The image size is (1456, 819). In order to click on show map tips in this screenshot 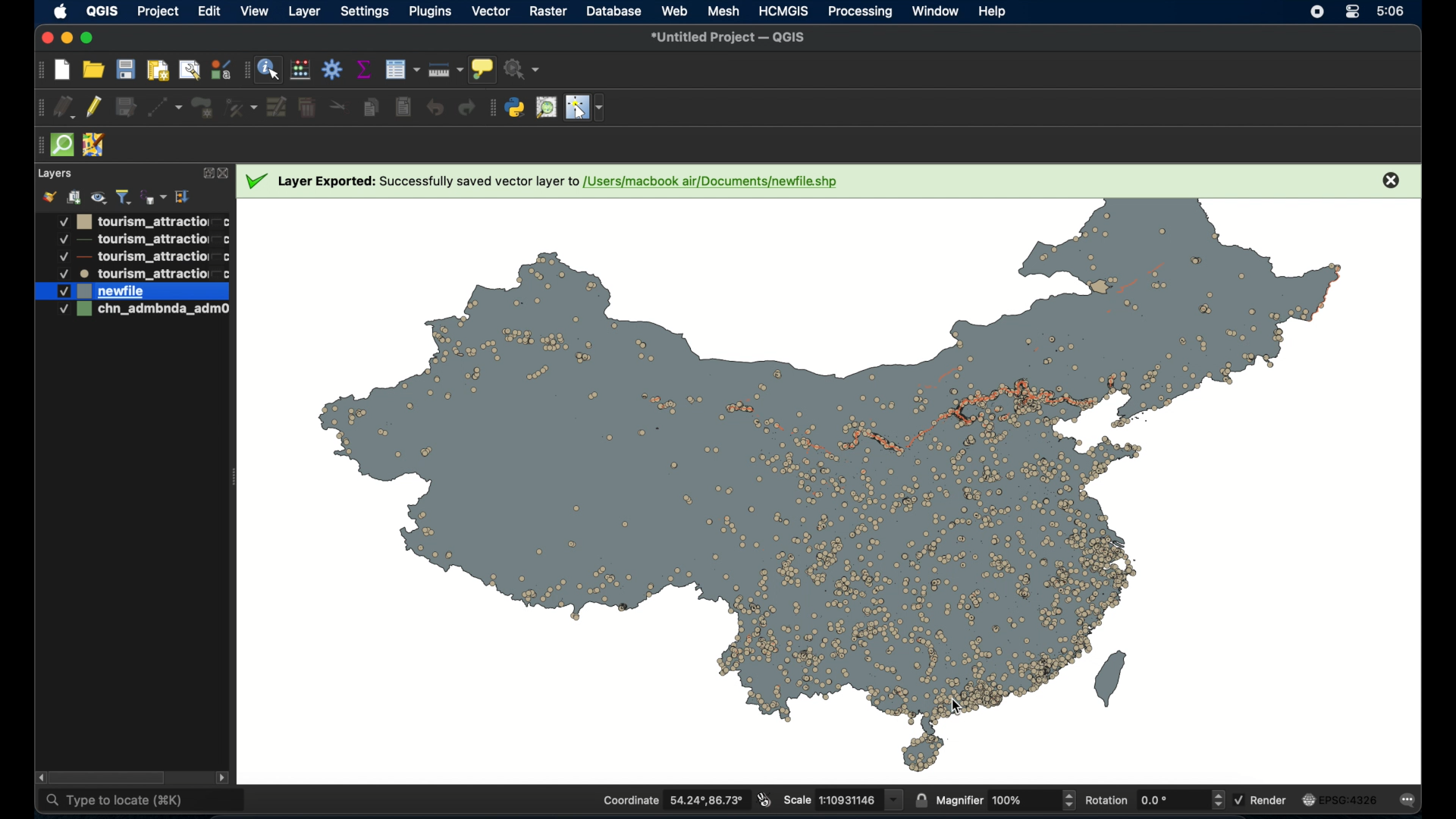, I will do `click(483, 69)`.